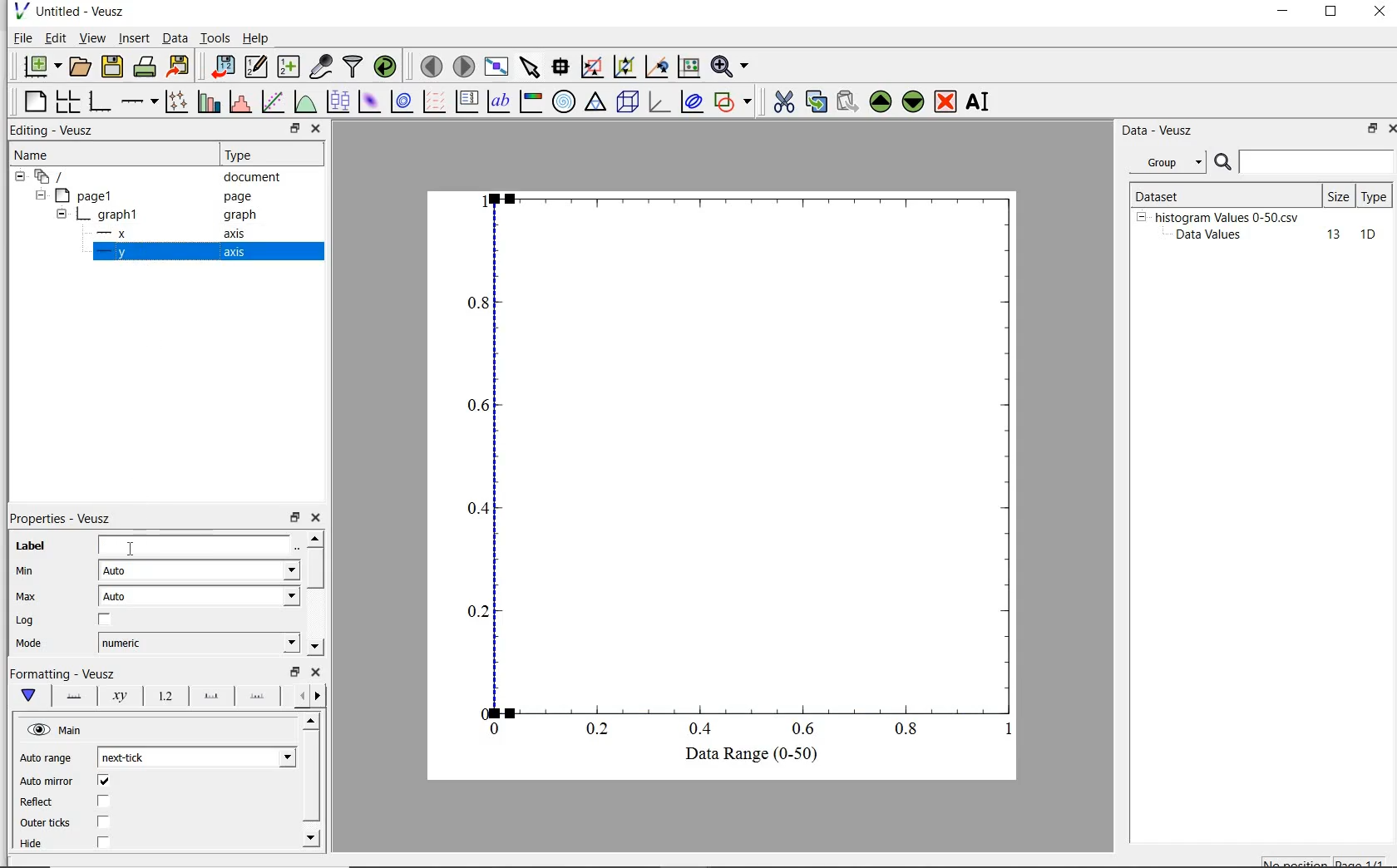 This screenshot has height=868, width=1397. I want to click on move down, so click(314, 647).